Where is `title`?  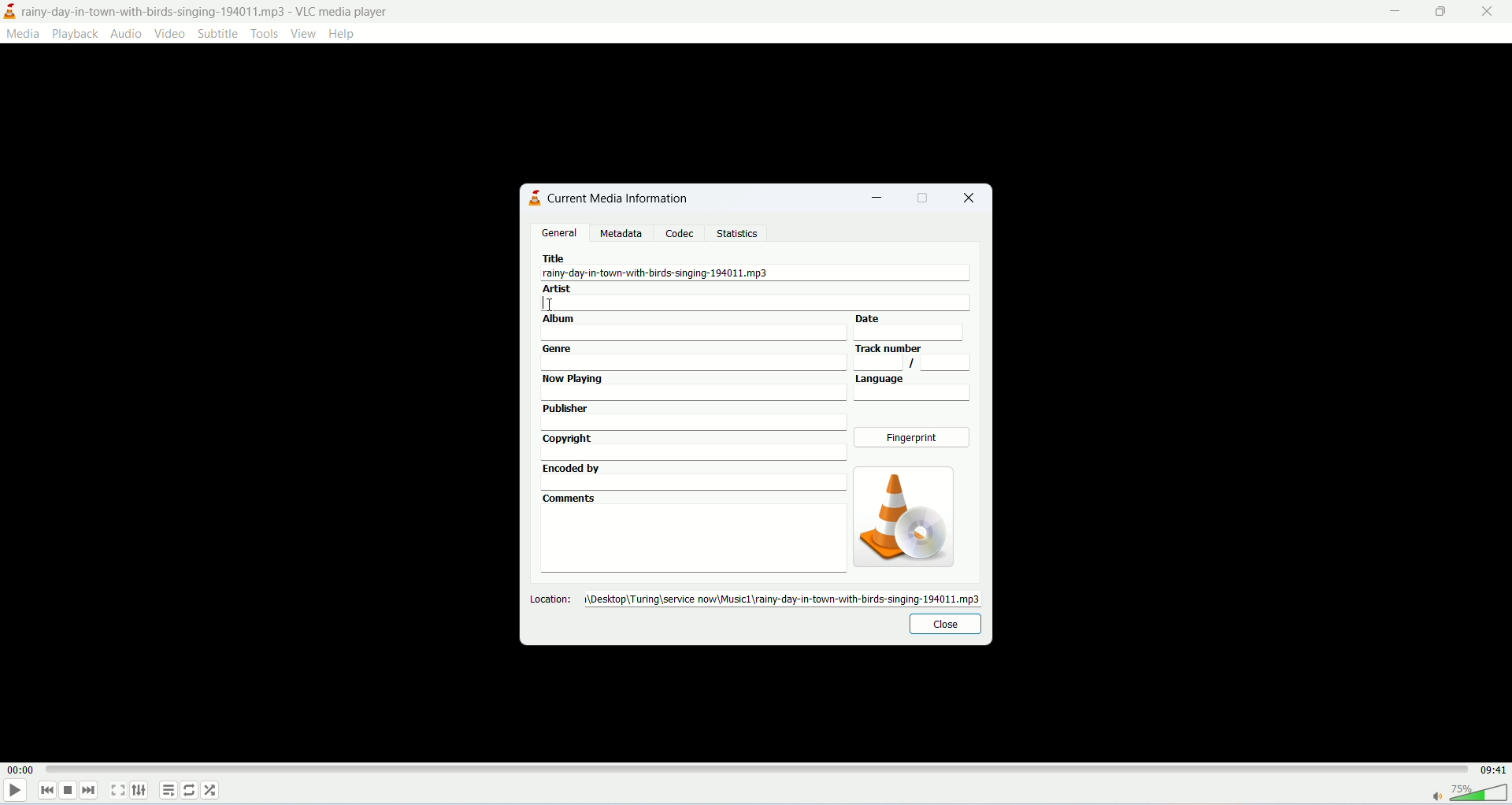 title is located at coordinates (762, 268).